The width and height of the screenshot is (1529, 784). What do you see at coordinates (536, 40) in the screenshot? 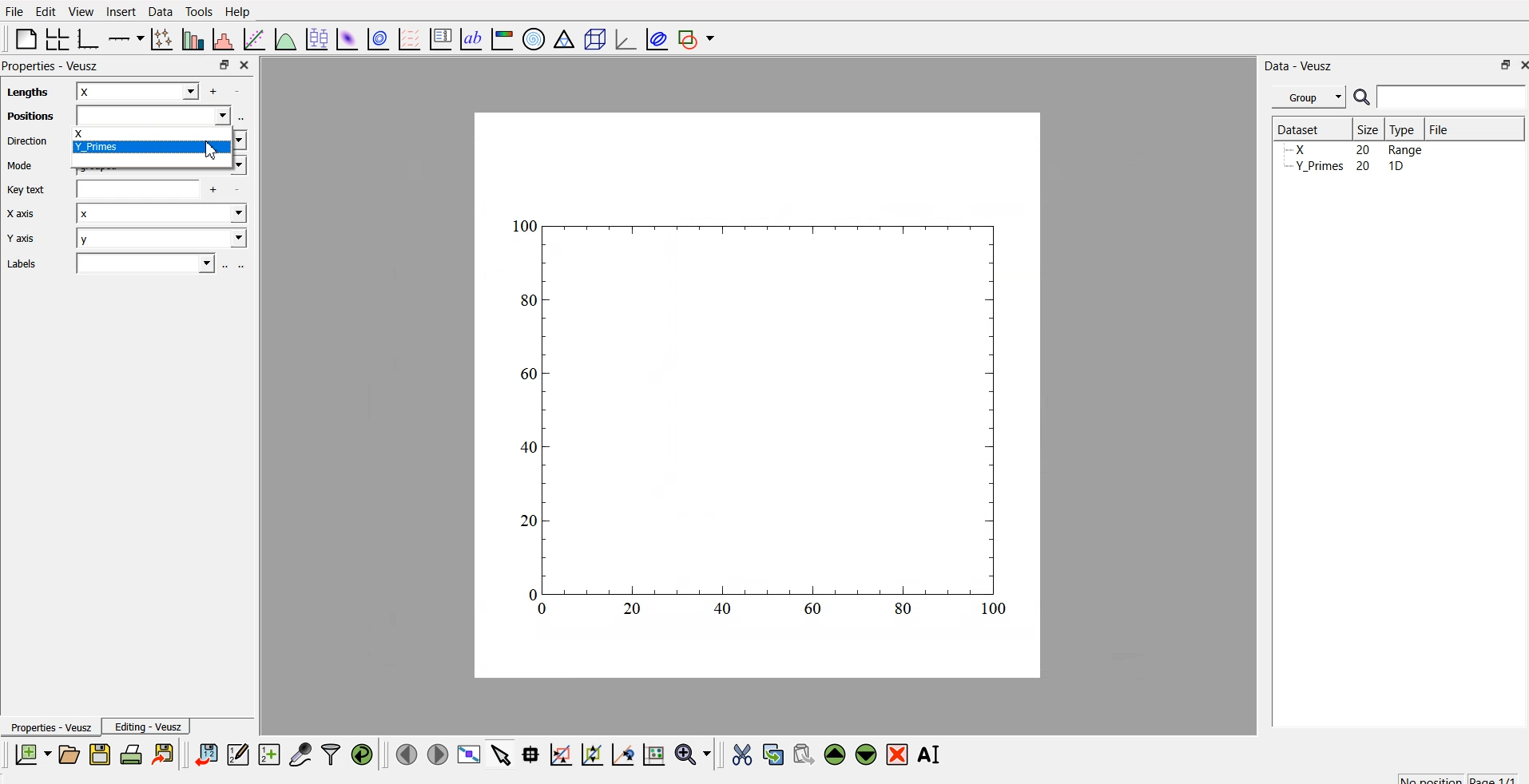
I see `polar graph` at bounding box center [536, 40].